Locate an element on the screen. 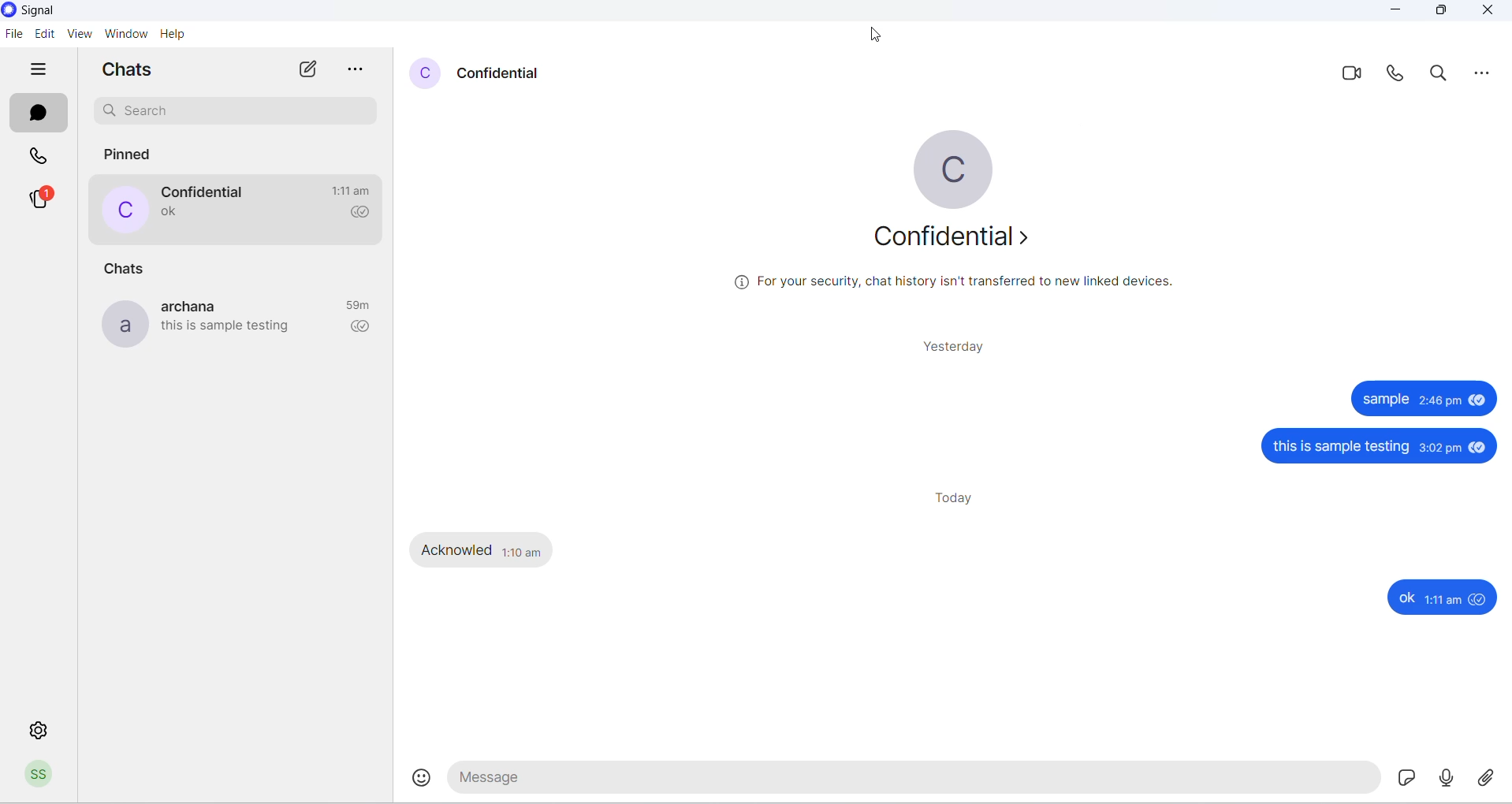 Image resolution: width=1512 pixels, height=804 pixels. 1:11 am is located at coordinates (1443, 599).